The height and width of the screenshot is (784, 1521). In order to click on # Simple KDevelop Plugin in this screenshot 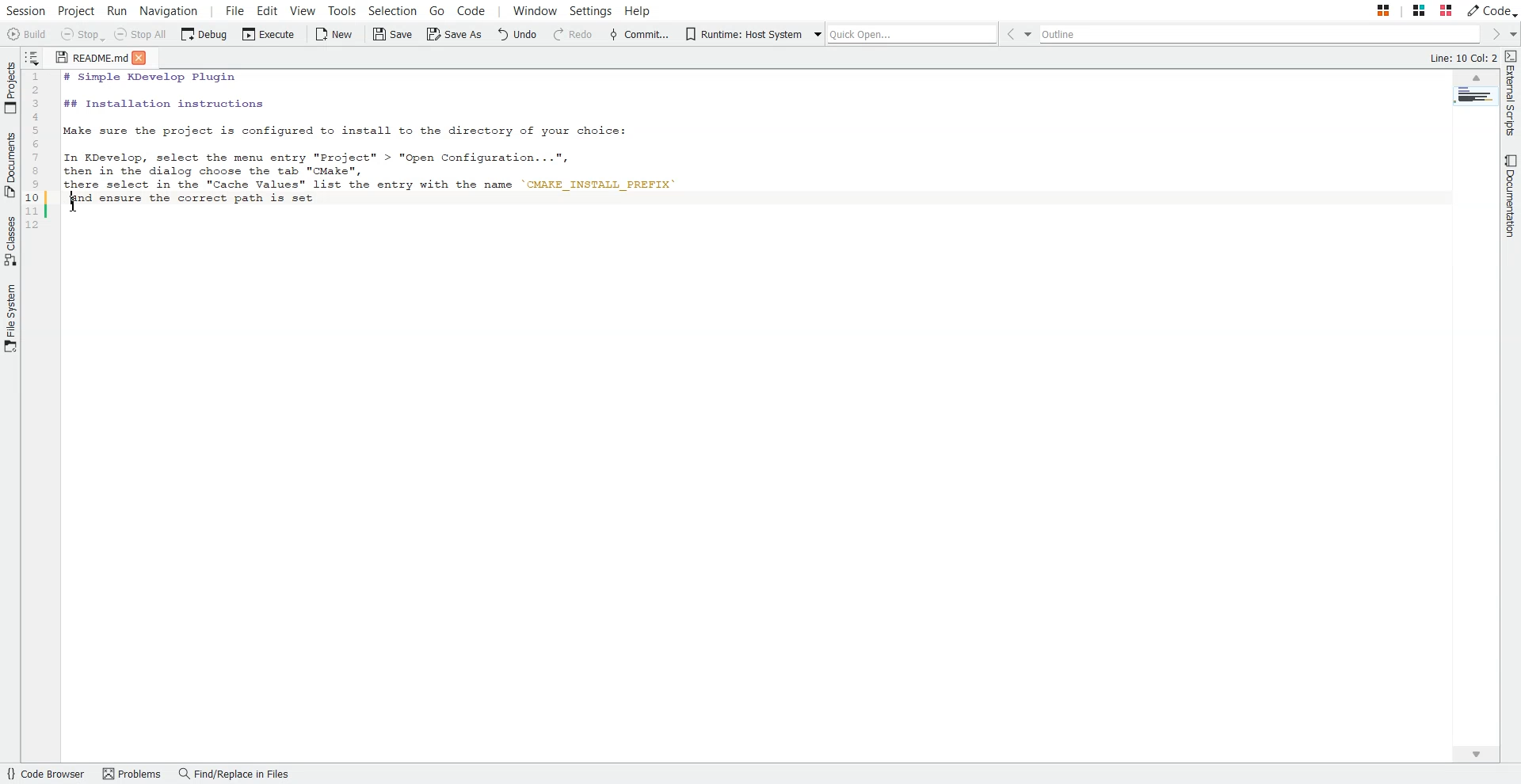, I will do `click(147, 78)`.